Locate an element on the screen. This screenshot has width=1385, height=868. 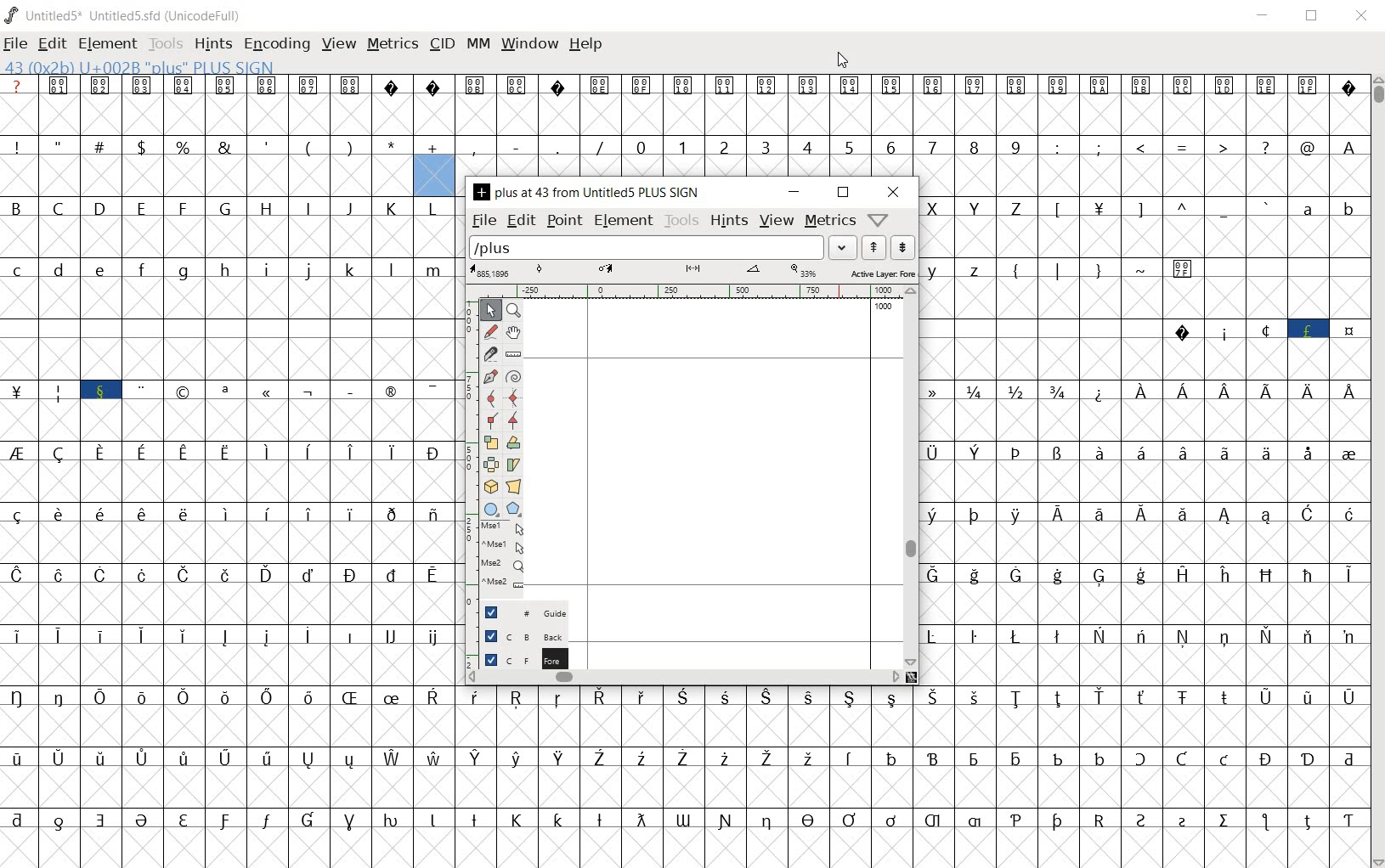
 is located at coordinates (412, 656).